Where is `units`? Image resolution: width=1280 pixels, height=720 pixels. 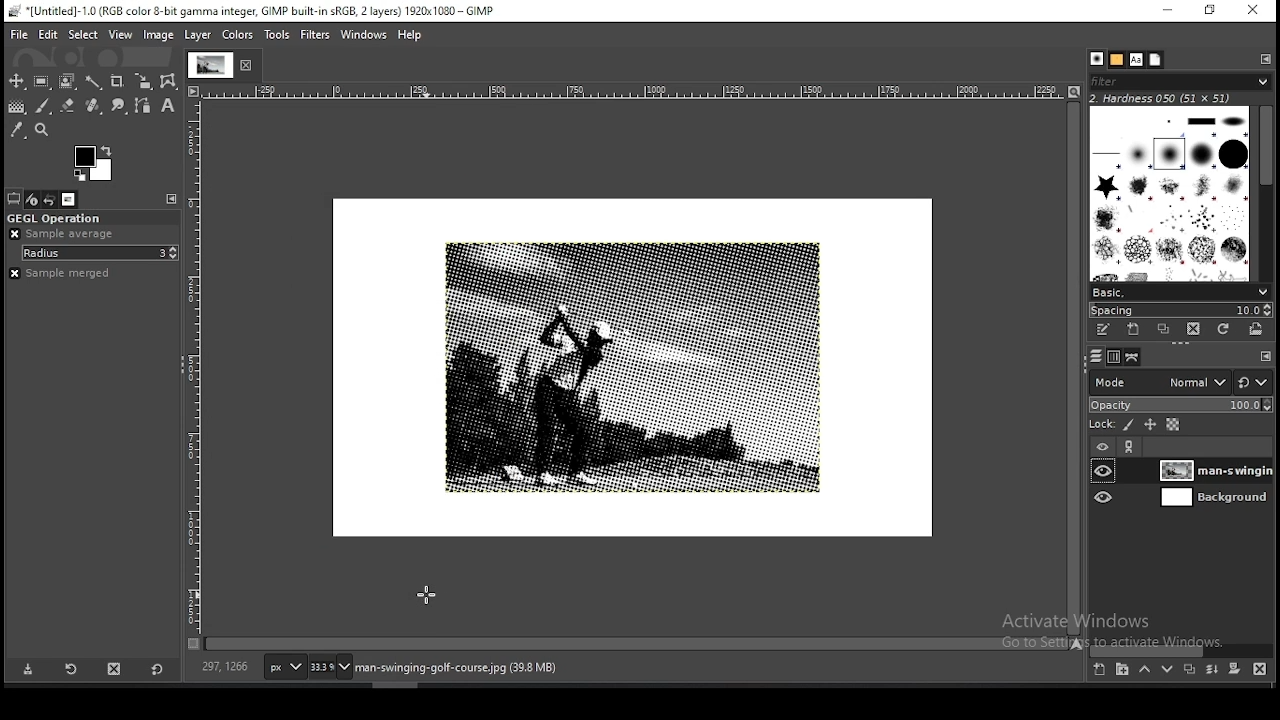
units is located at coordinates (284, 667).